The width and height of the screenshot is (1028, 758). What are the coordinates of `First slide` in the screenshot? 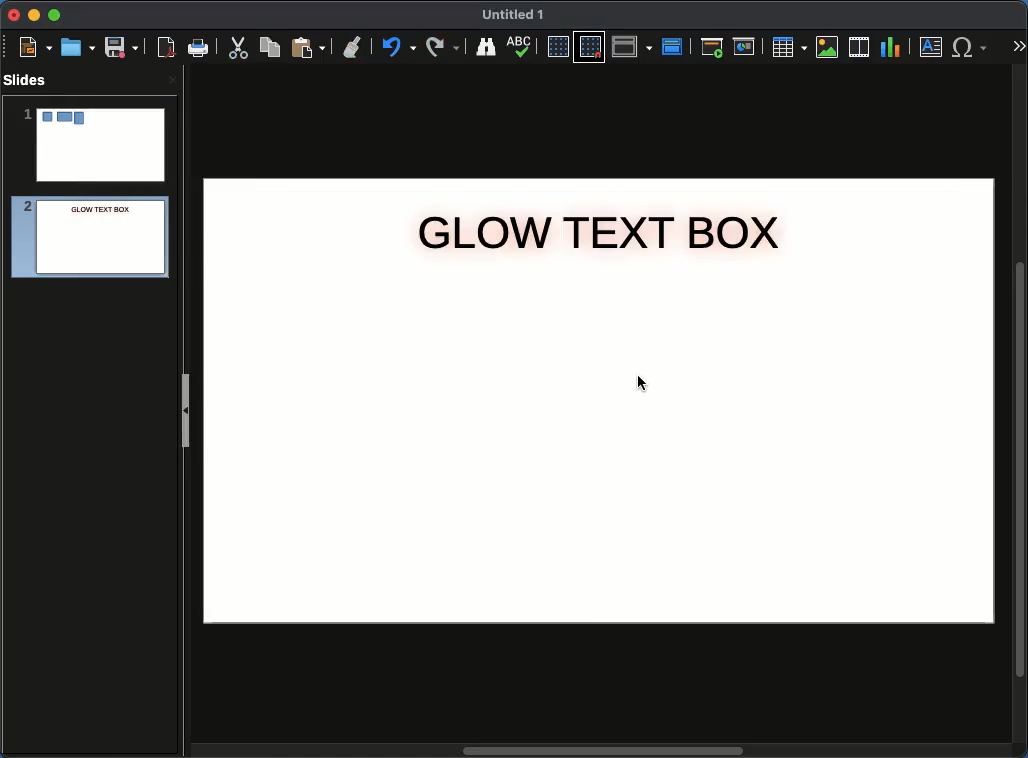 It's located at (712, 47).